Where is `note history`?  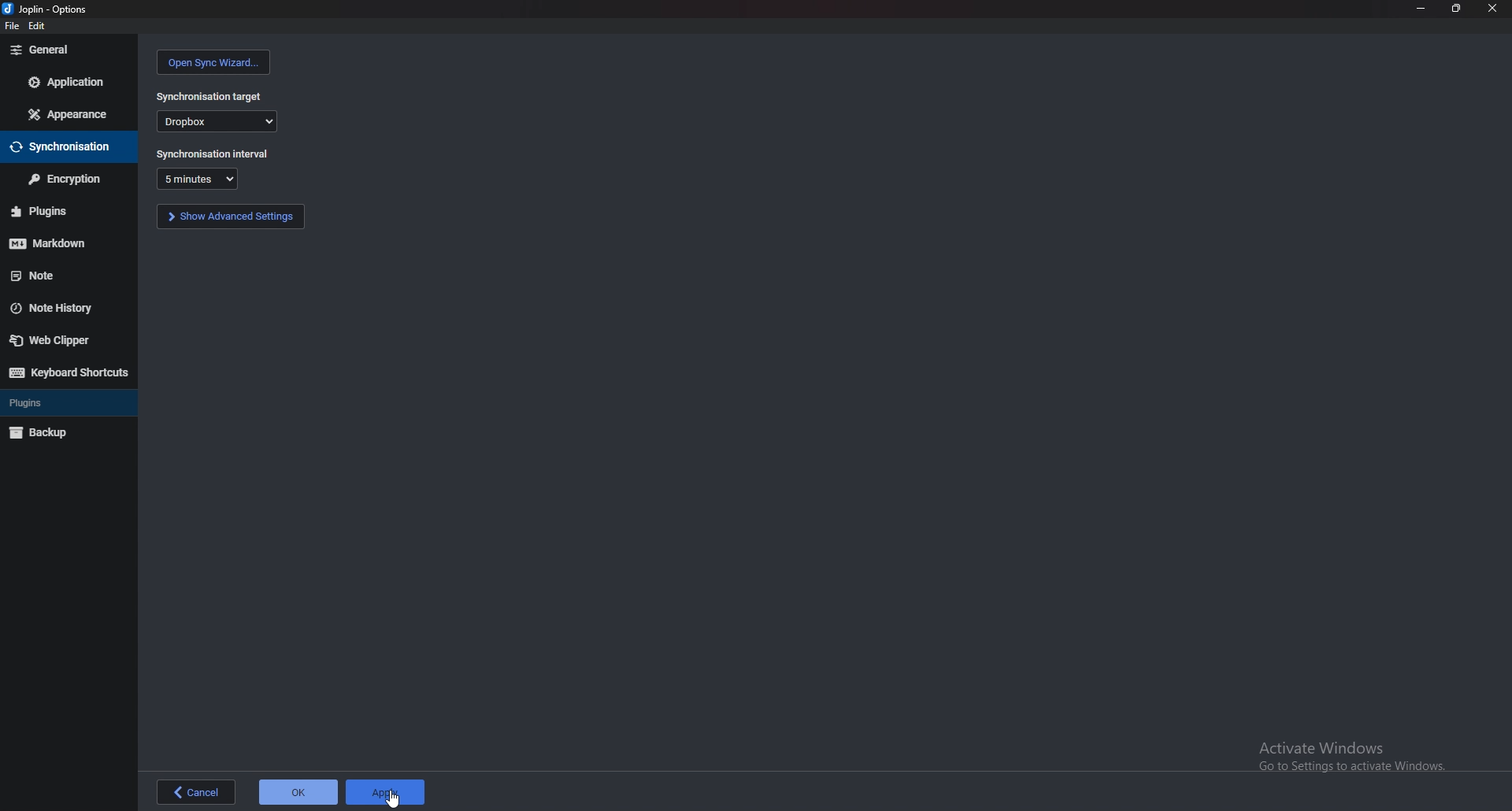
note history is located at coordinates (57, 309).